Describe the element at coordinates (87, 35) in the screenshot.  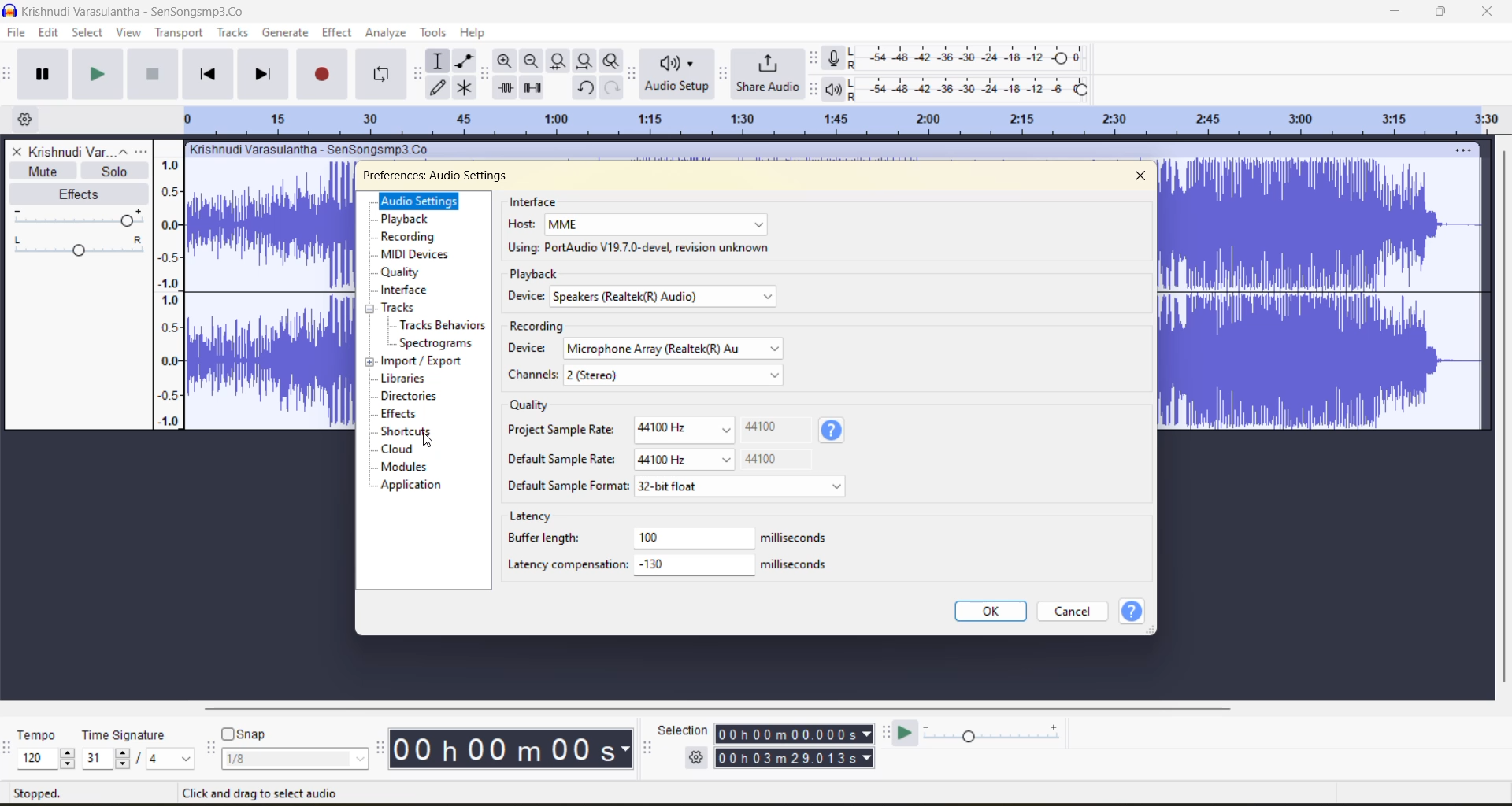
I see `select` at that location.